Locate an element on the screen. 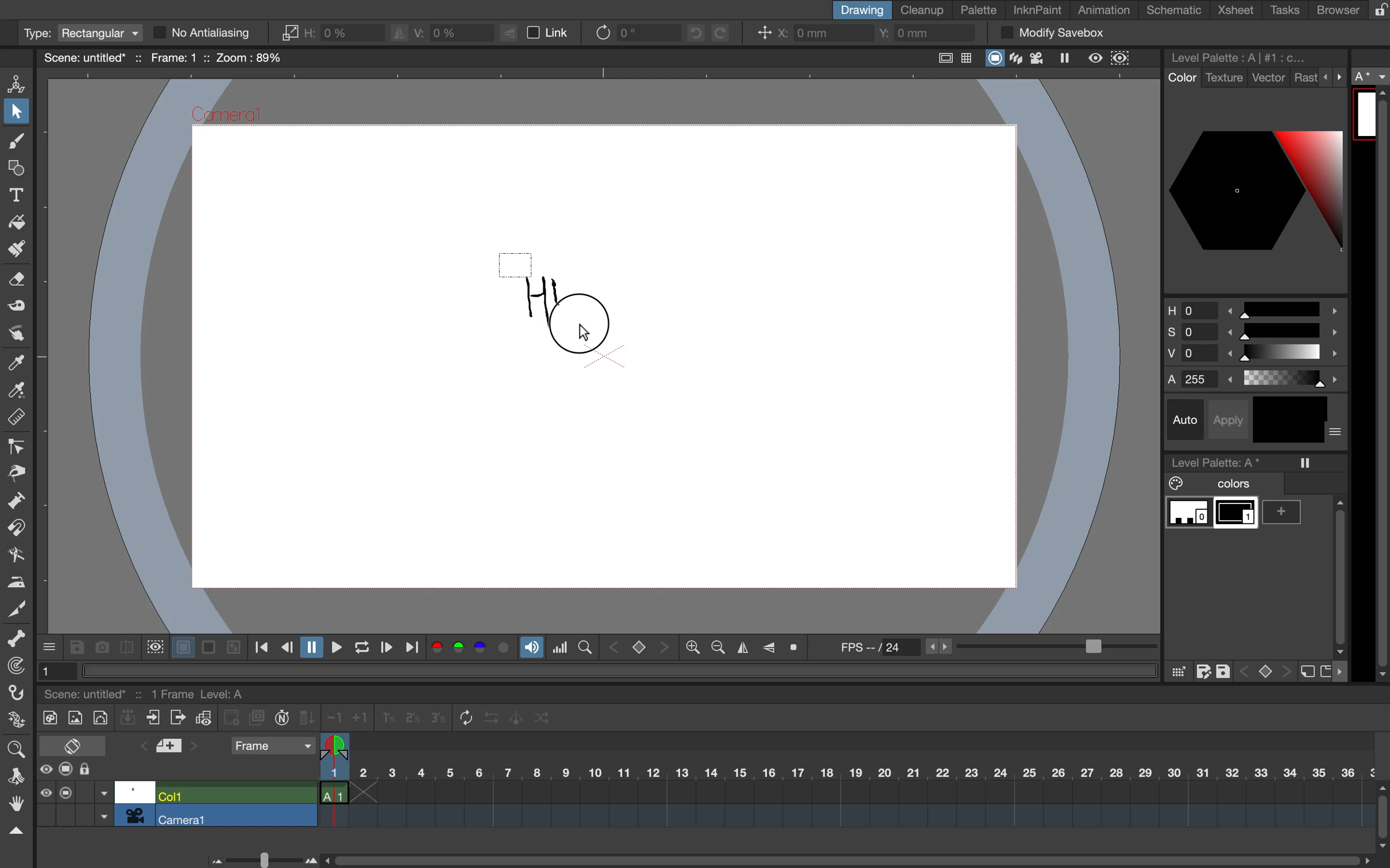  next frame is located at coordinates (385, 649).